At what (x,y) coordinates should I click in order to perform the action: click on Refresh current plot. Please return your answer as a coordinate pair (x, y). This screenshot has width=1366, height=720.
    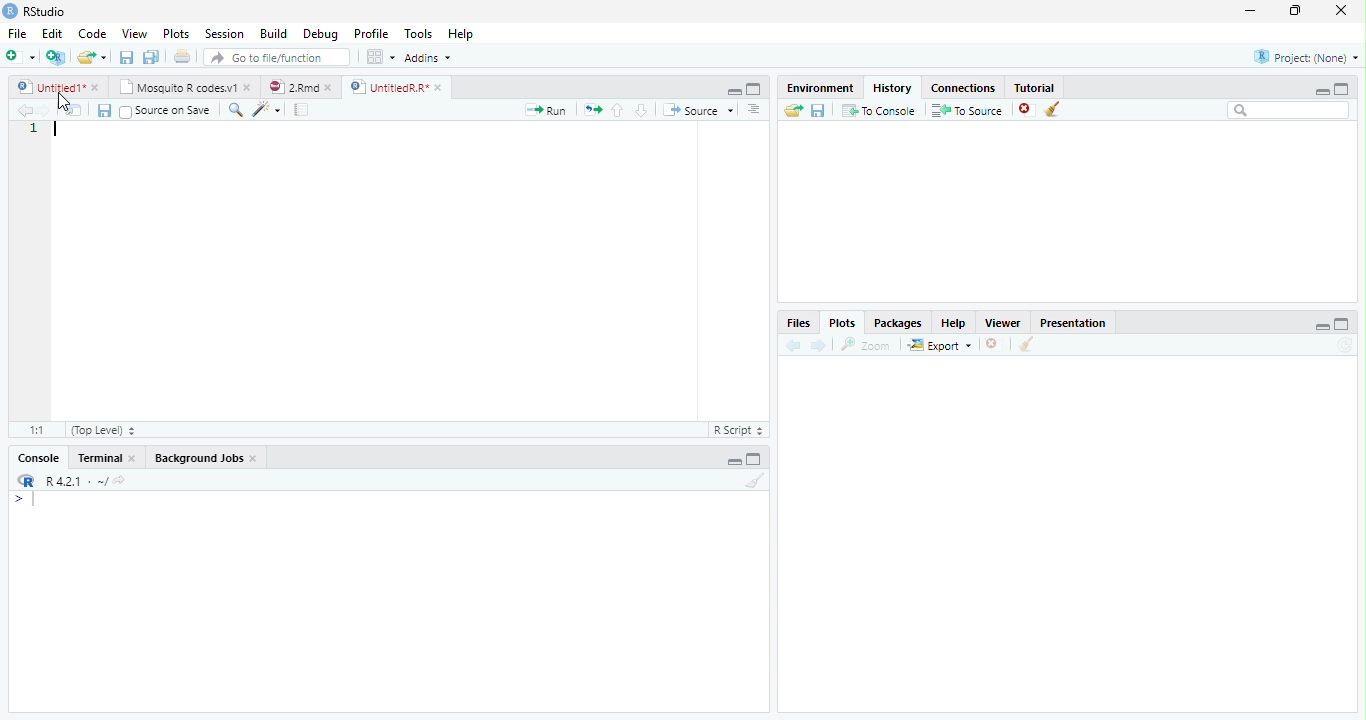
    Looking at the image, I should click on (1345, 346).